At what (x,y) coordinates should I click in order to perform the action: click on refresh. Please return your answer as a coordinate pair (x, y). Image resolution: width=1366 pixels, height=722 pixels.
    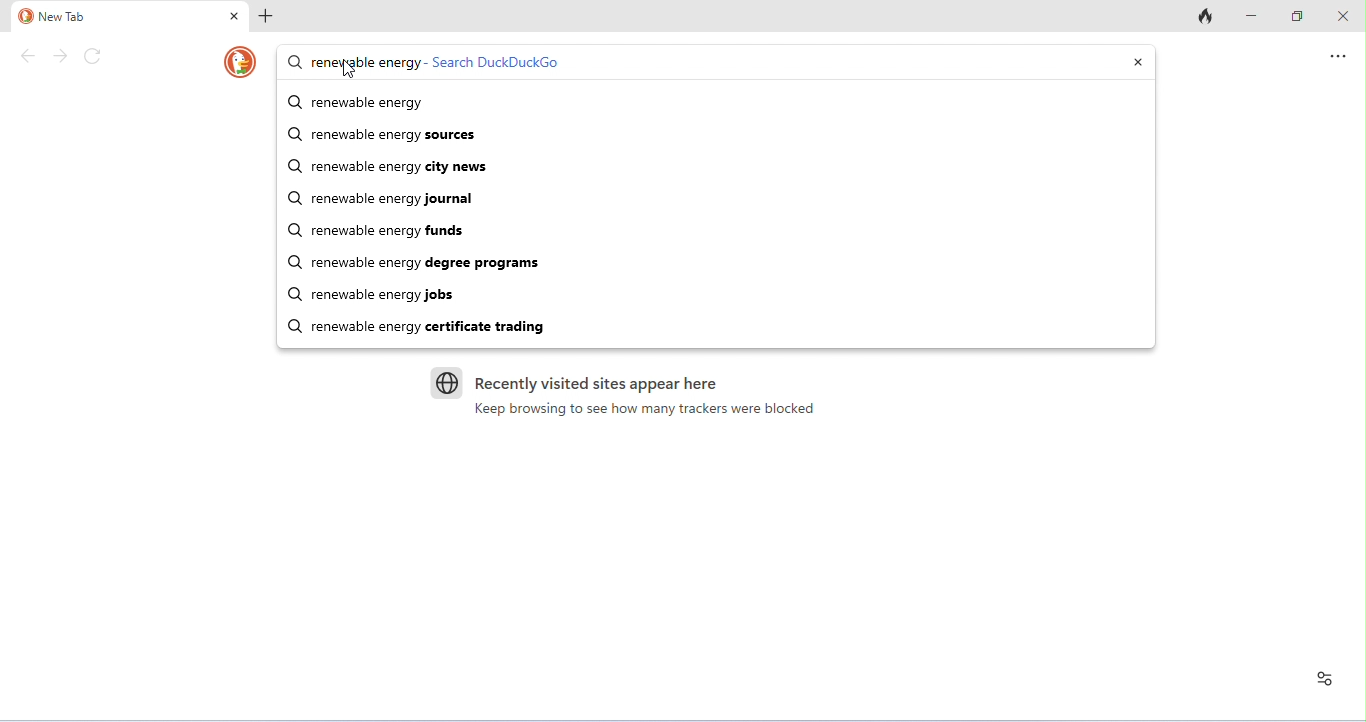
    Looking at the image, I should click on (93, 56).